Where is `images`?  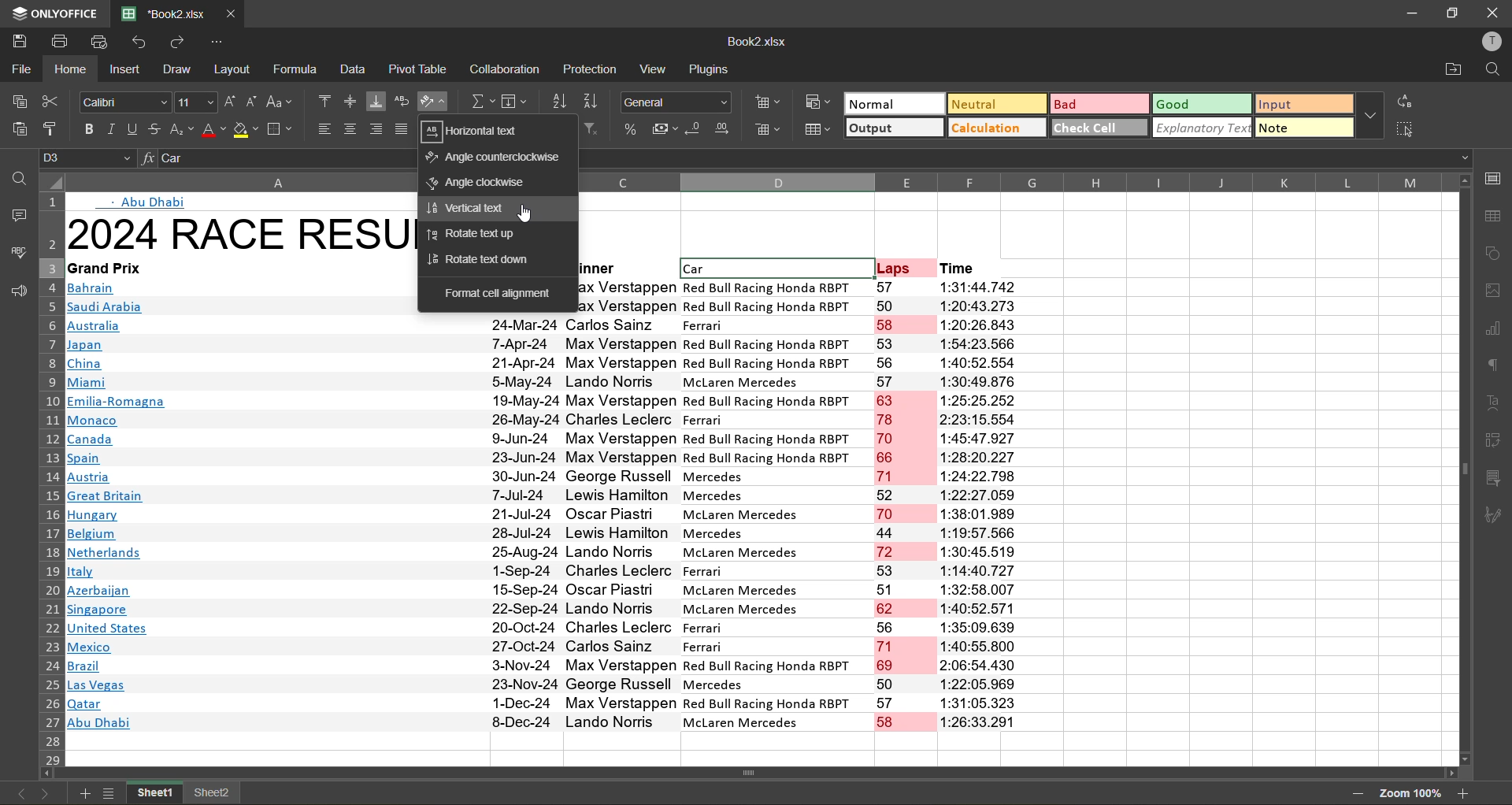
images is located at coordinates (1493, 293).